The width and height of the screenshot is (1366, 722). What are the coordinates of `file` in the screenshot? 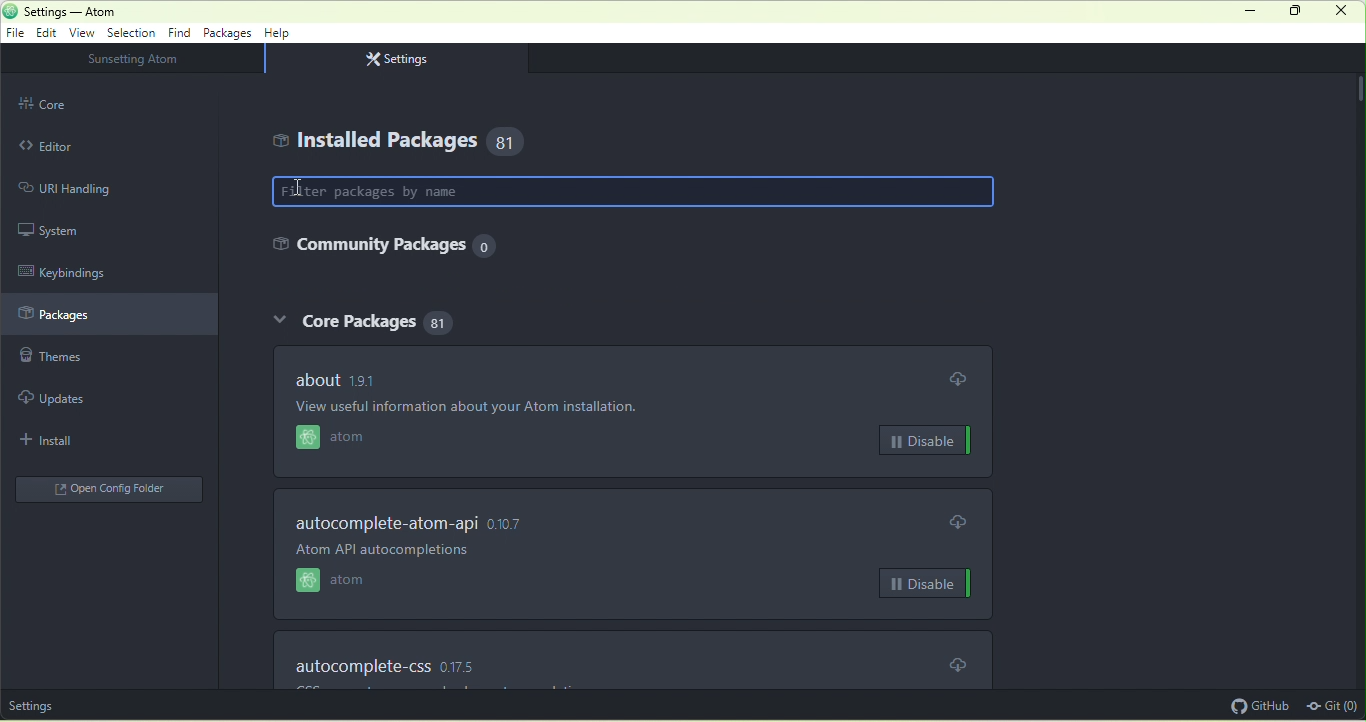 It's located at (19, 34).